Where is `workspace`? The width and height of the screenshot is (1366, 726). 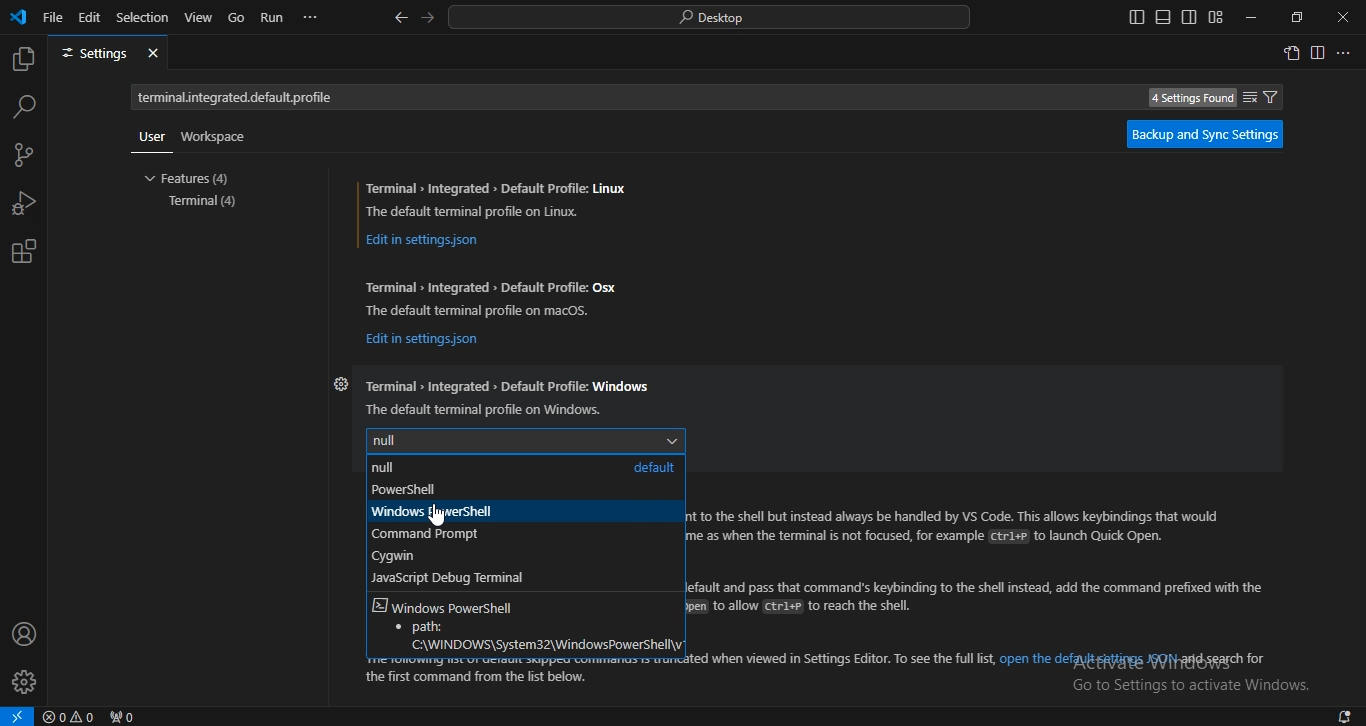 workspace is located at coordinates (218, 135).